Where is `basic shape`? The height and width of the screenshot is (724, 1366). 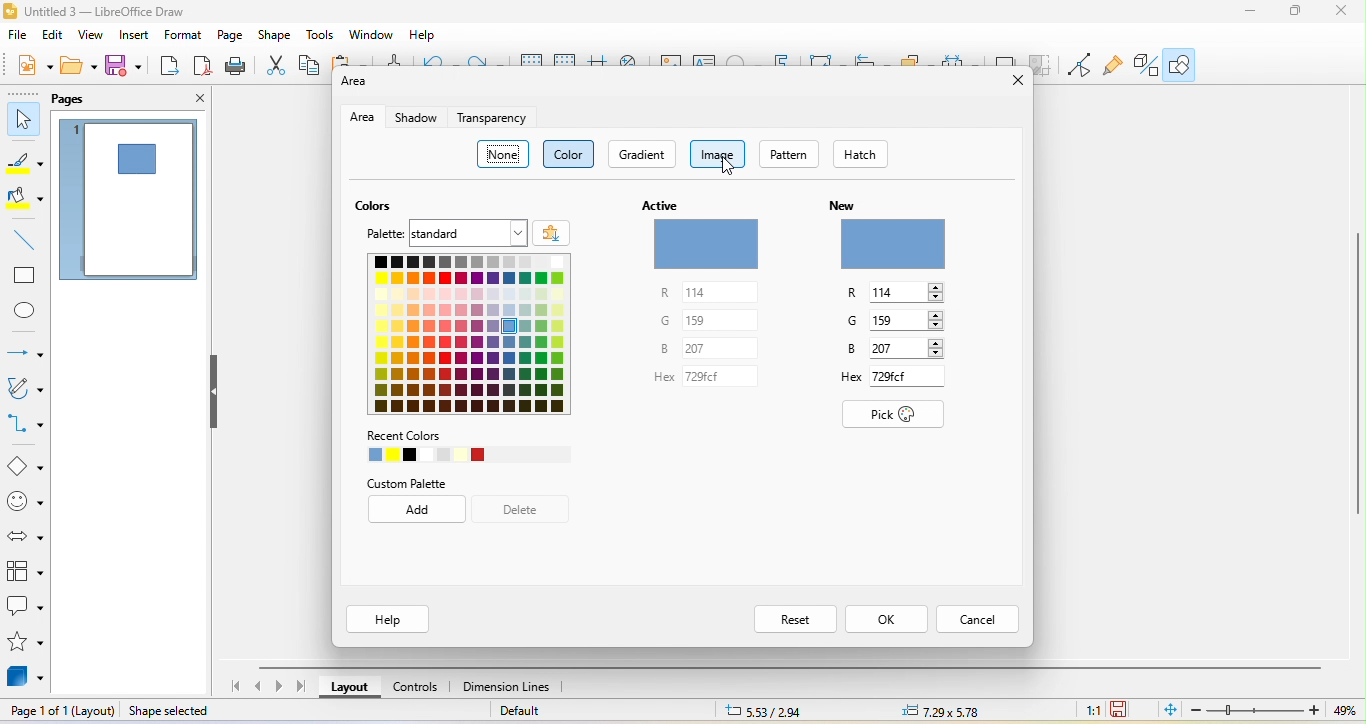 basic shape is located at coordinates (24, 464).